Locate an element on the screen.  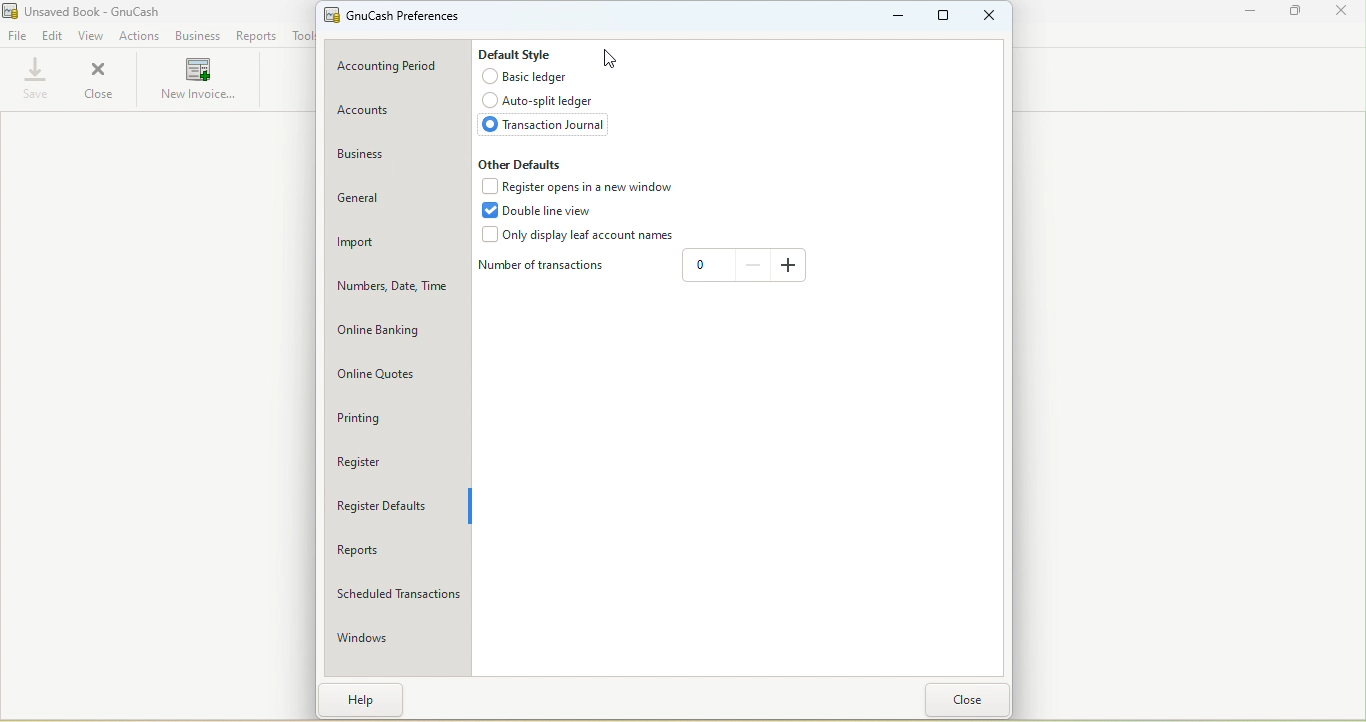
File  is located at coordinates (17, 36).